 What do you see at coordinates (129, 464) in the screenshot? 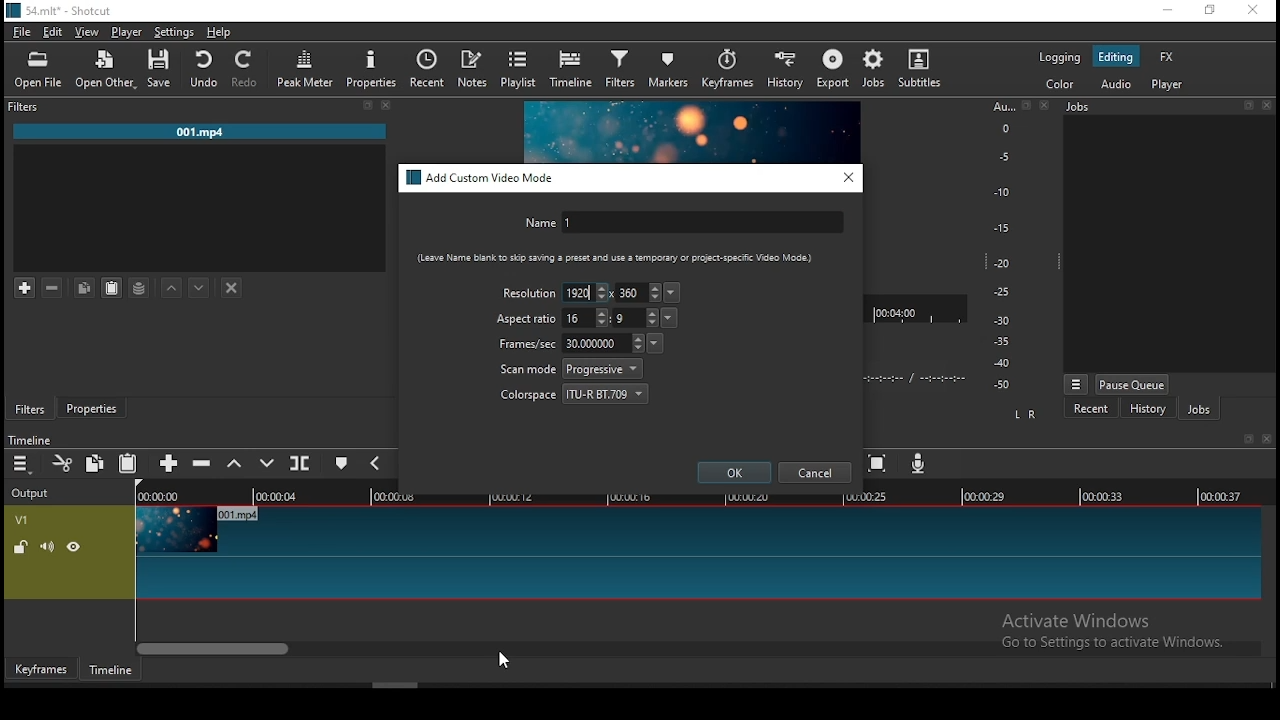
I see `paste` at bounding box center [129, 464].